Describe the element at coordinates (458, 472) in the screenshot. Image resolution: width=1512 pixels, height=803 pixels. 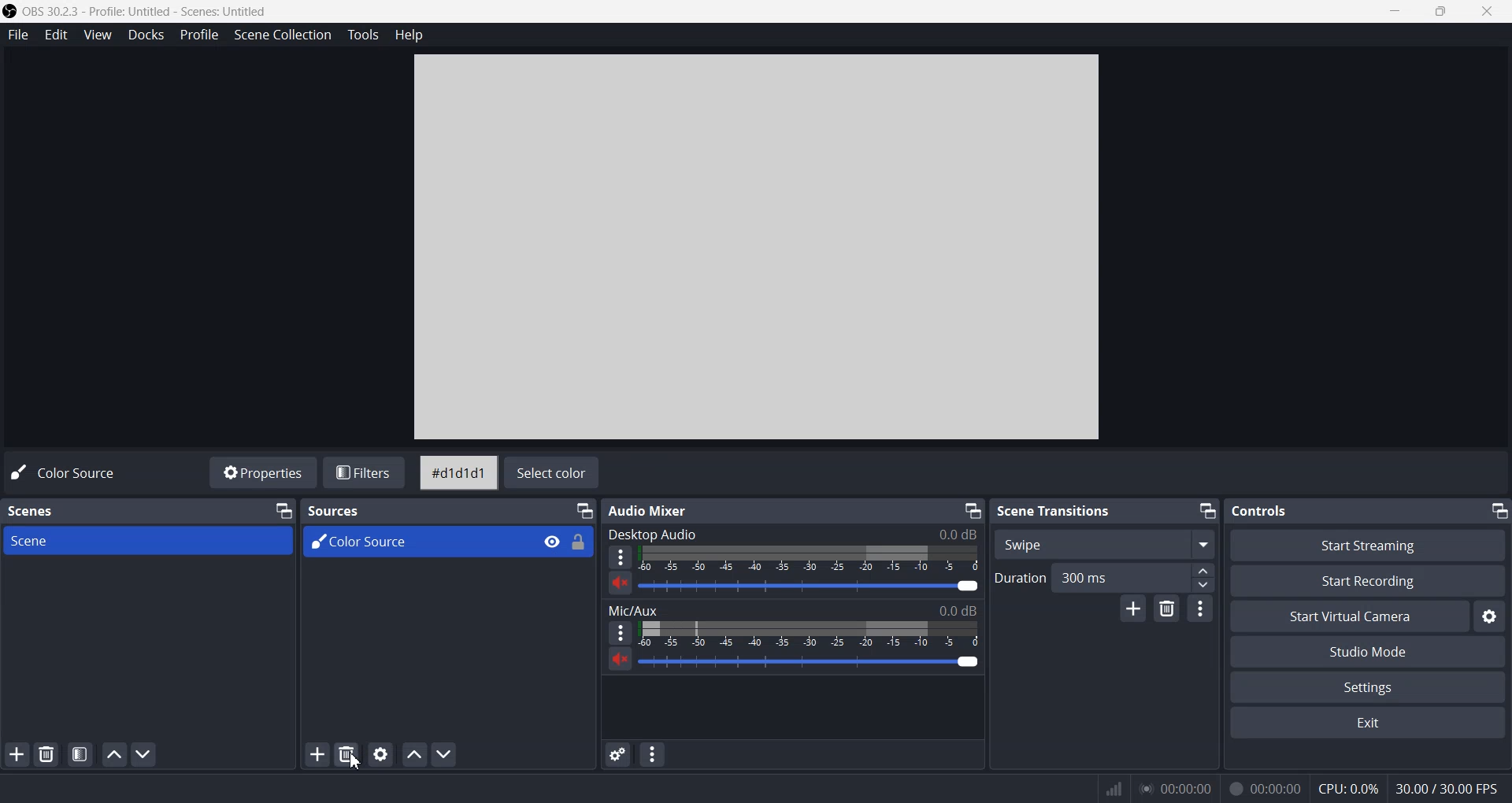
I see `#d1d1d1` at that location.